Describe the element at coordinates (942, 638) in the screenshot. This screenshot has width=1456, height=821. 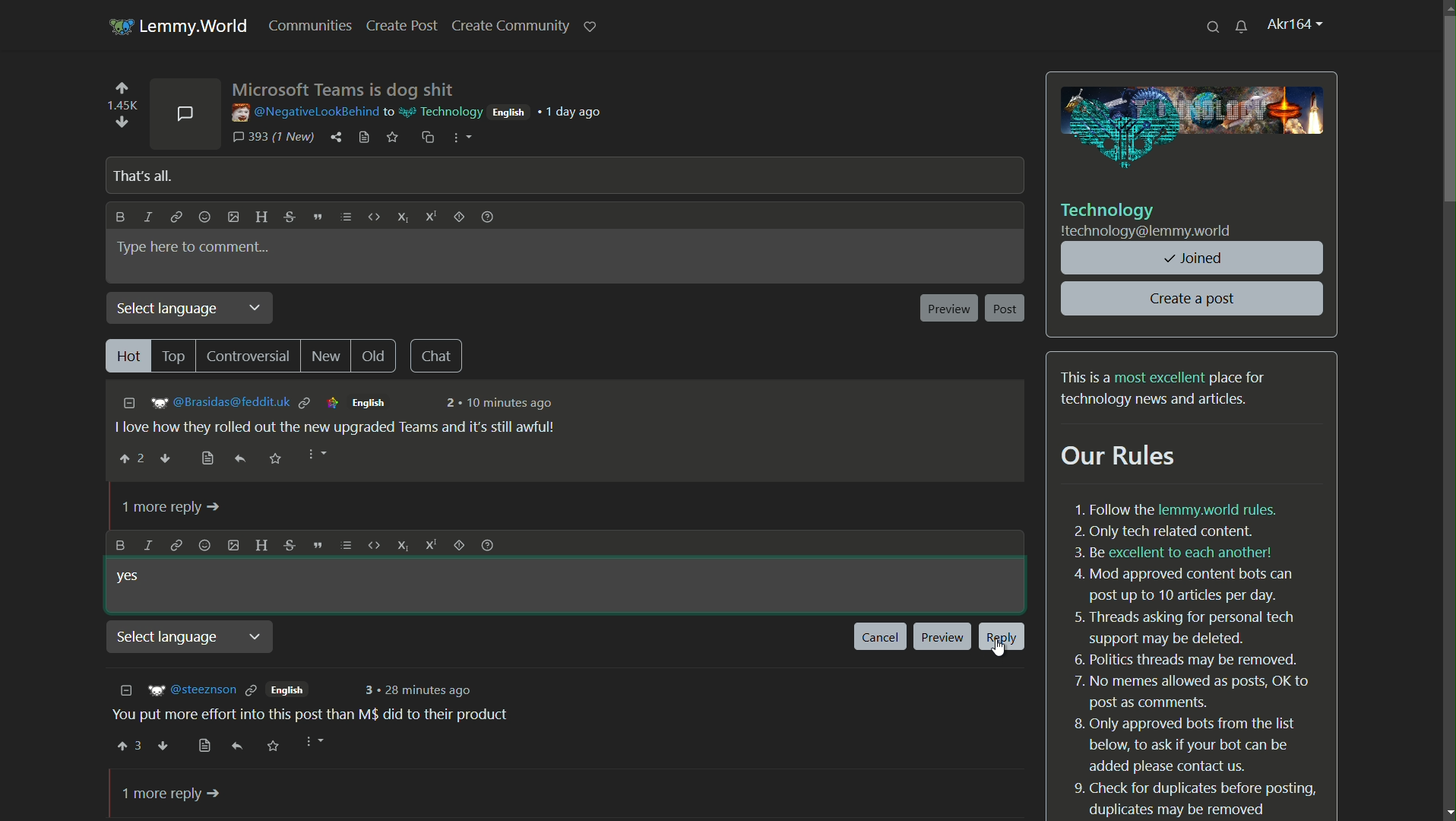
I see `preview` at that location.